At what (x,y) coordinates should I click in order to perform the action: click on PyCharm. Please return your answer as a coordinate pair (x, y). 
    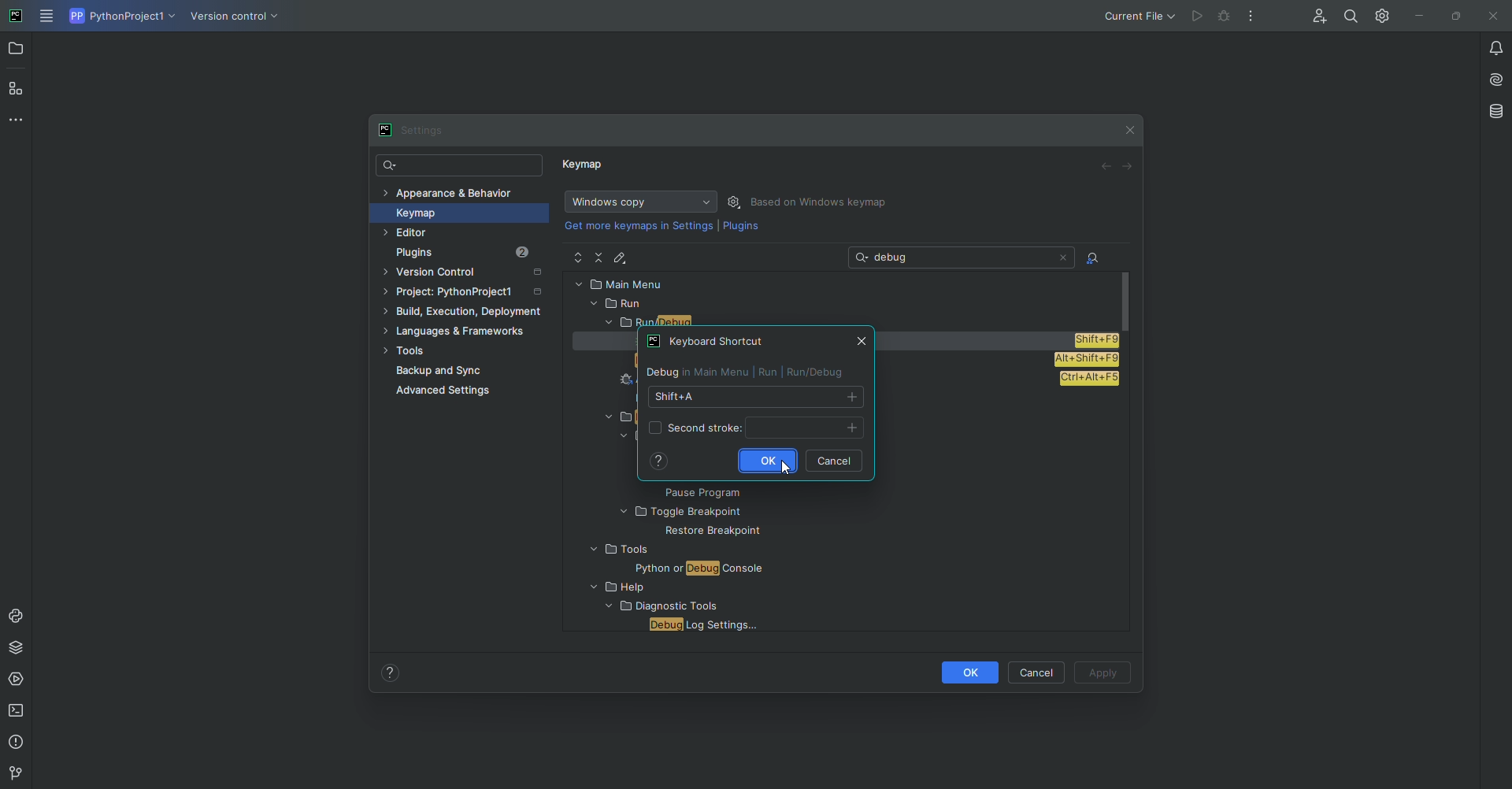
    Looking at the image, I should click on (17, 17).